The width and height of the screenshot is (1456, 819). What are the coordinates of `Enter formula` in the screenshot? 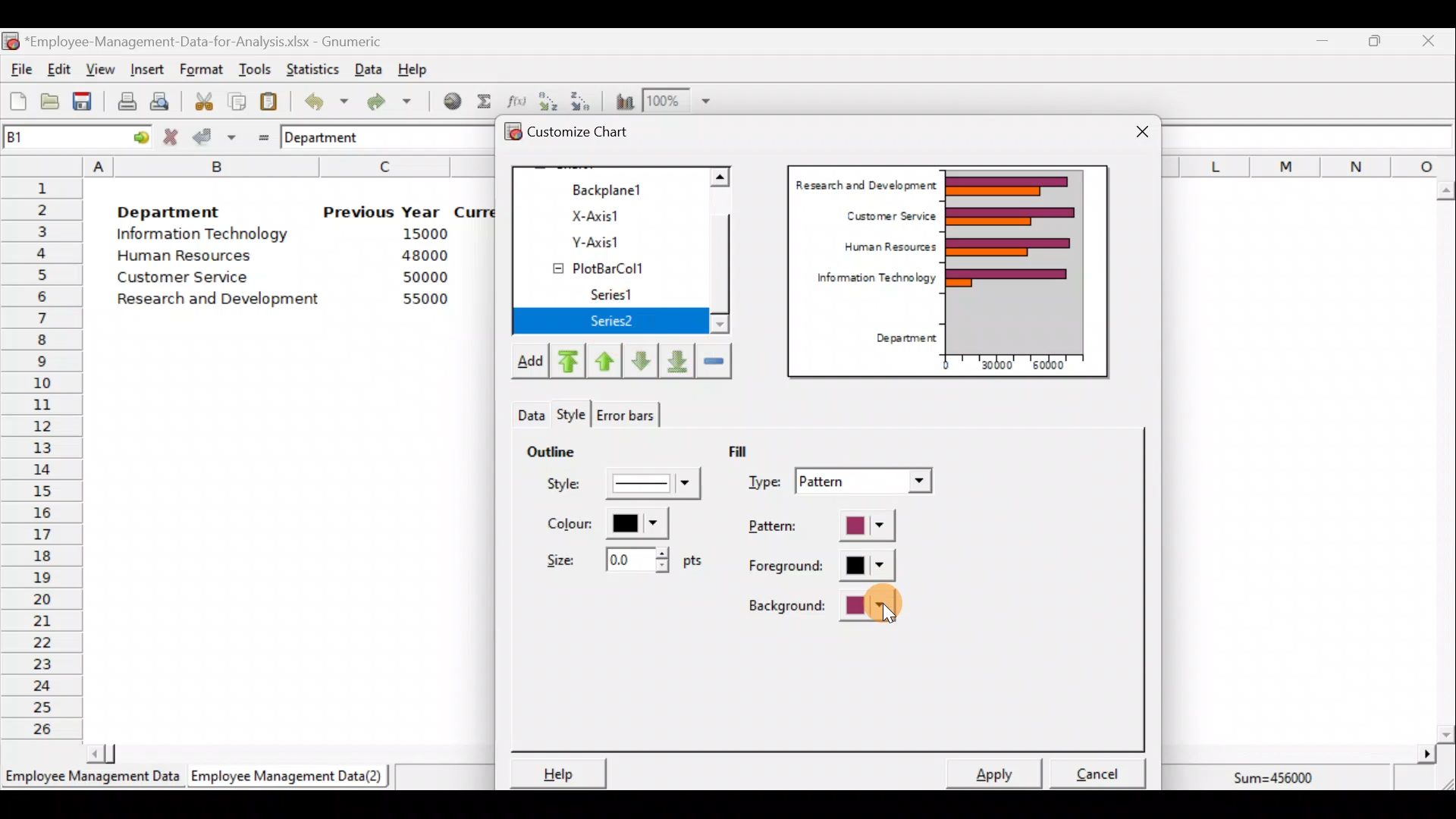 It's located at (259, 134).